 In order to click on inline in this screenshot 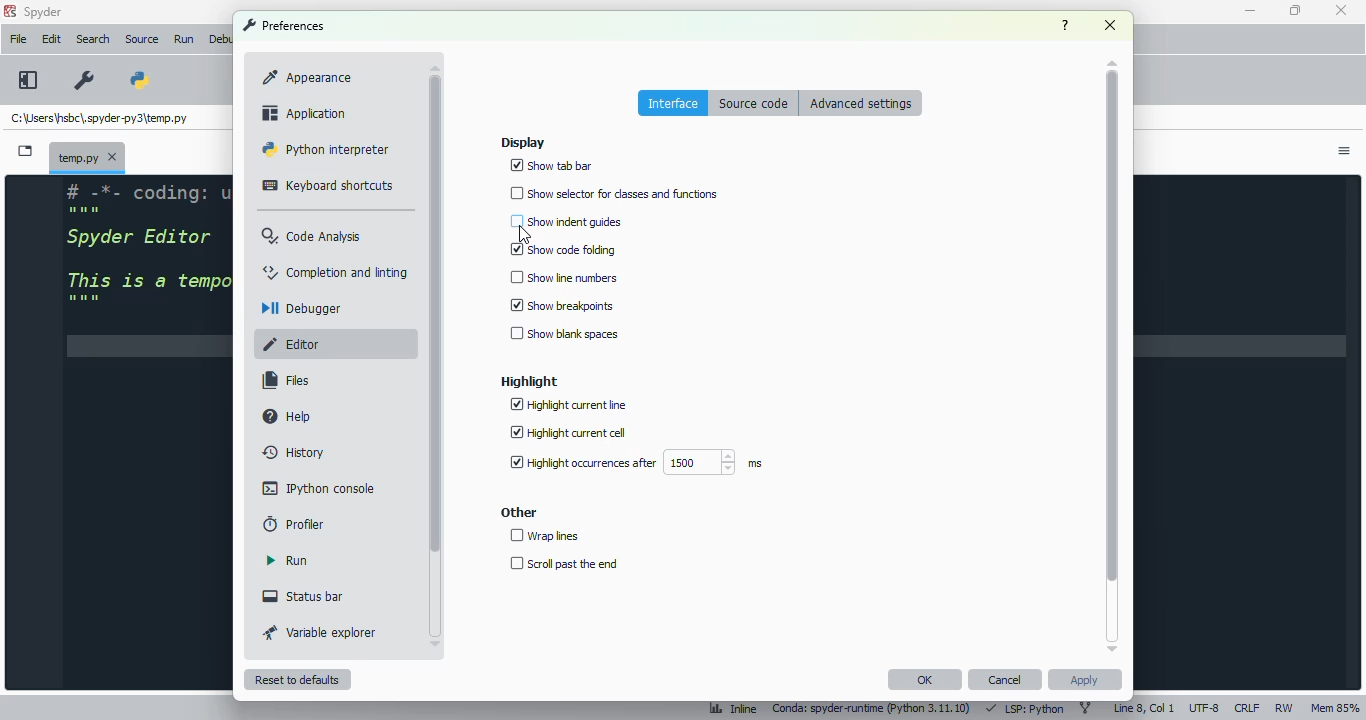, I will do `click(733, 709)`.